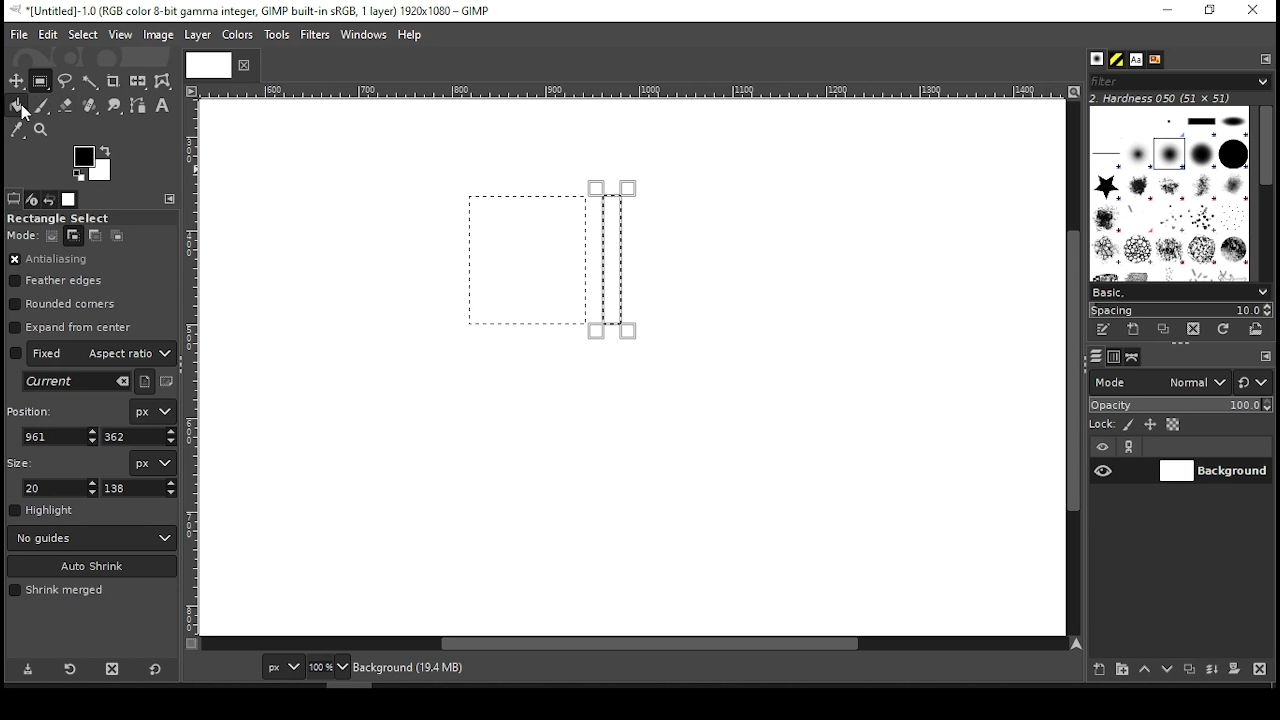  I want to click on paths, so click(1135, 356).